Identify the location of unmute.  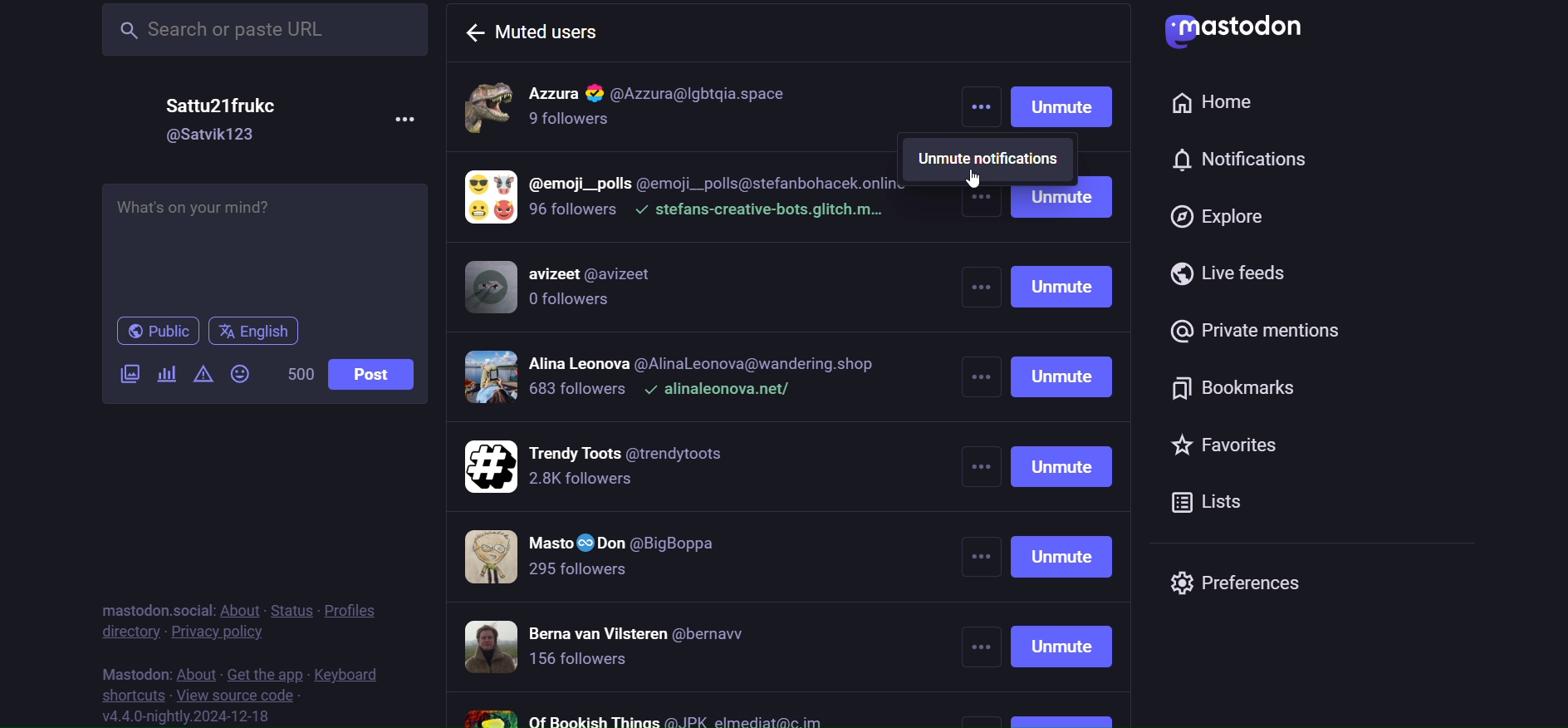
(1061, 107).